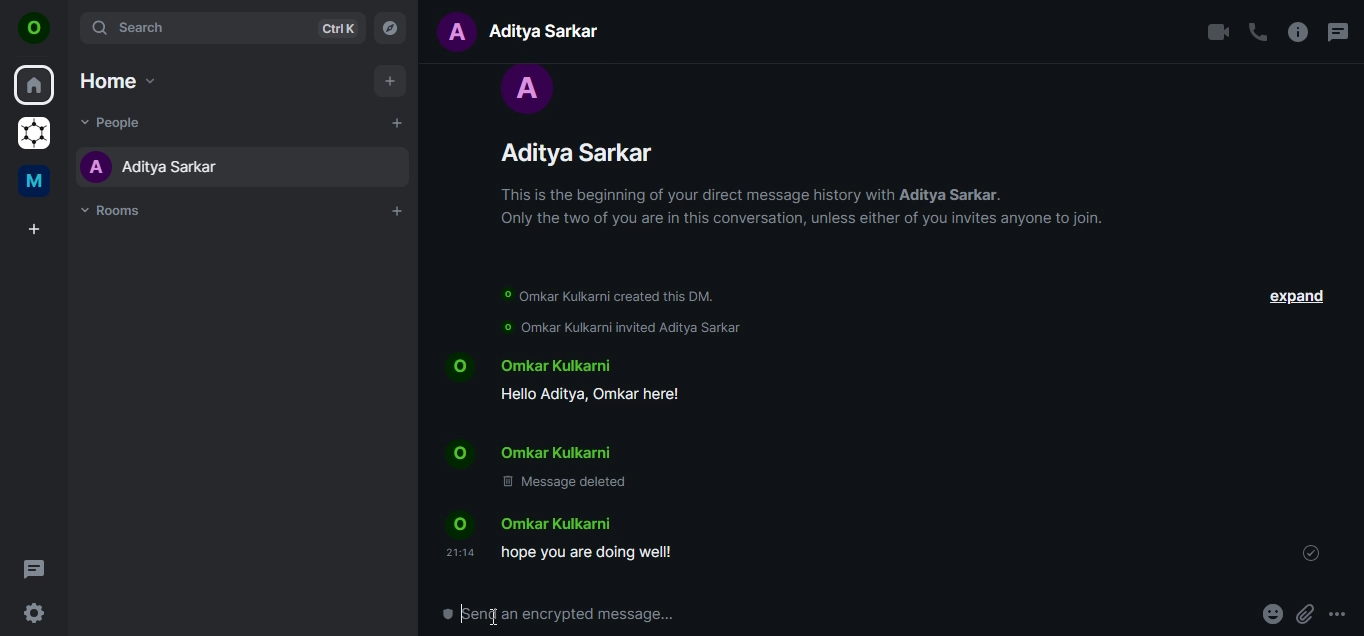 Image resolution: width=1364 pixels, height=636 pixels. I want to click on voice call, so click(1257, 31).